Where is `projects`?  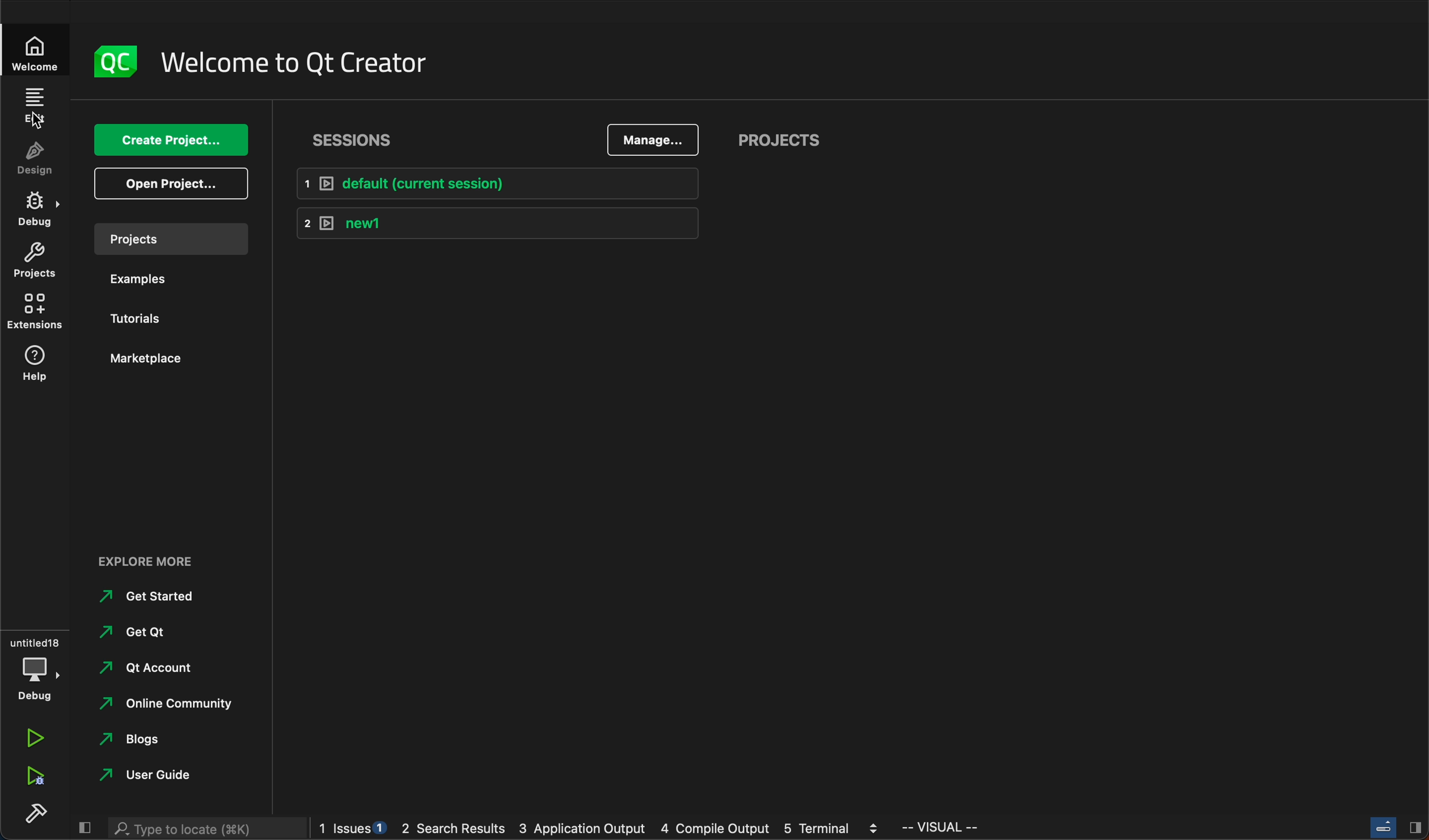 projects is located at coordinates (40, 262).